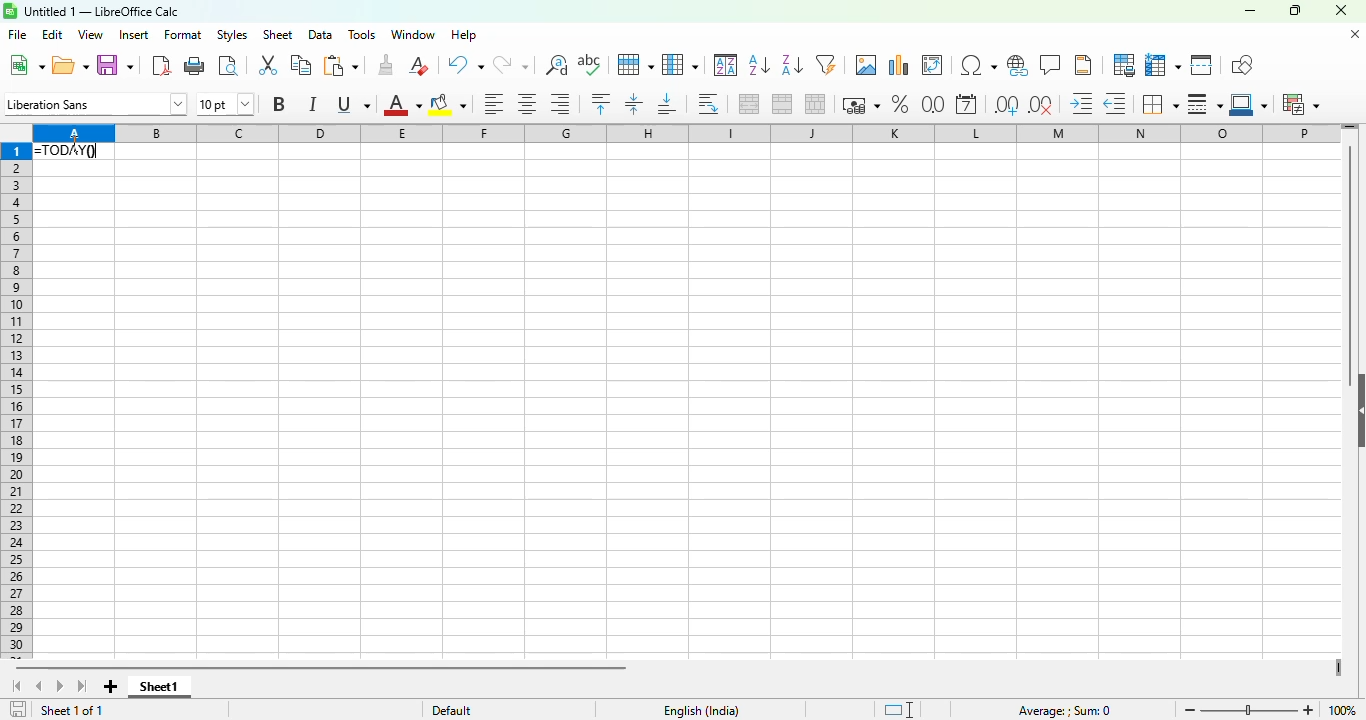  Describe the element at coordinates (589, 65) in the screenshot. I see `spelling` at that location.